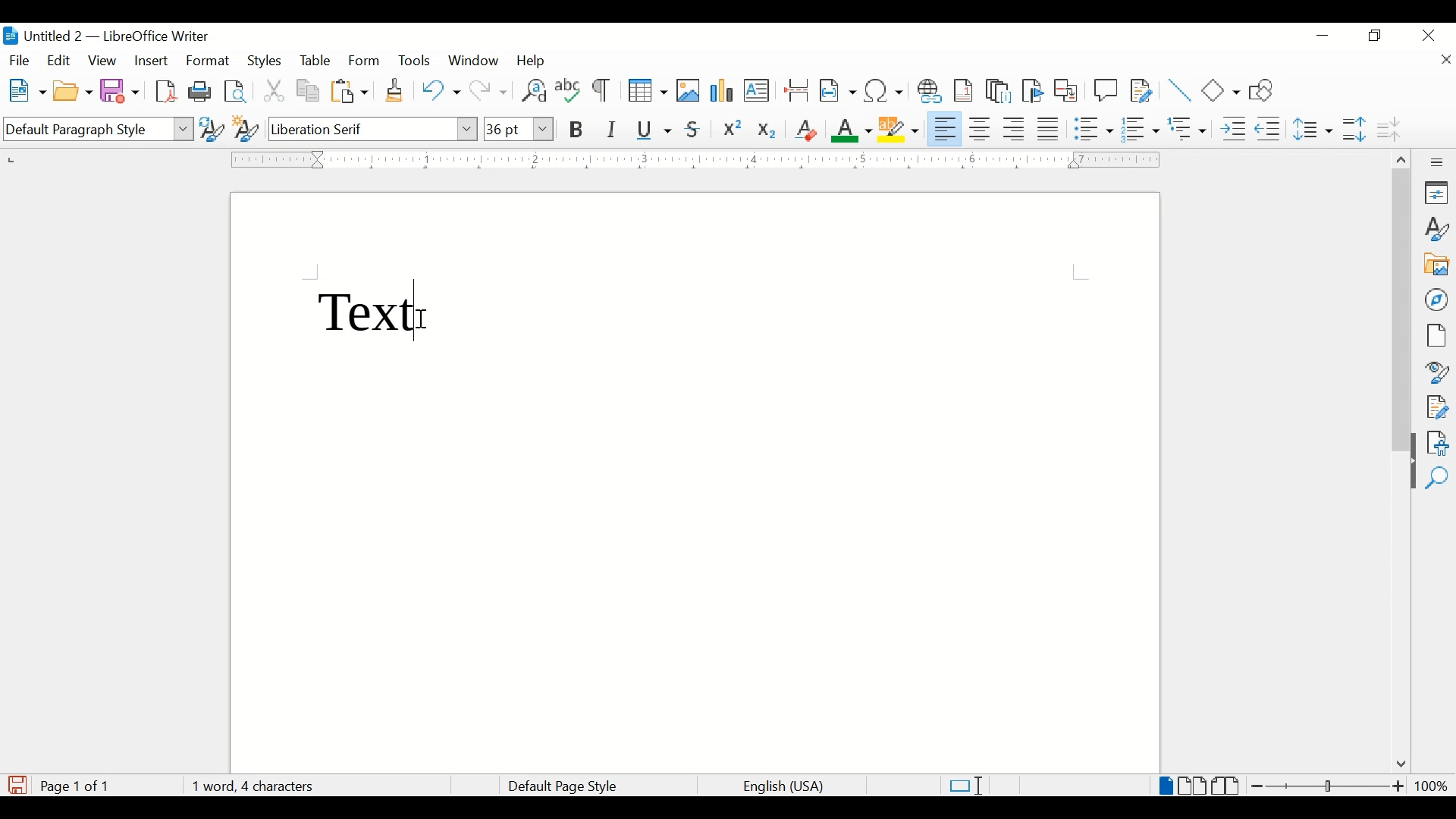  What do you see at coordinates (1437, 479) in the screenshot?
I see `find` at bounding box center [1437, 479].